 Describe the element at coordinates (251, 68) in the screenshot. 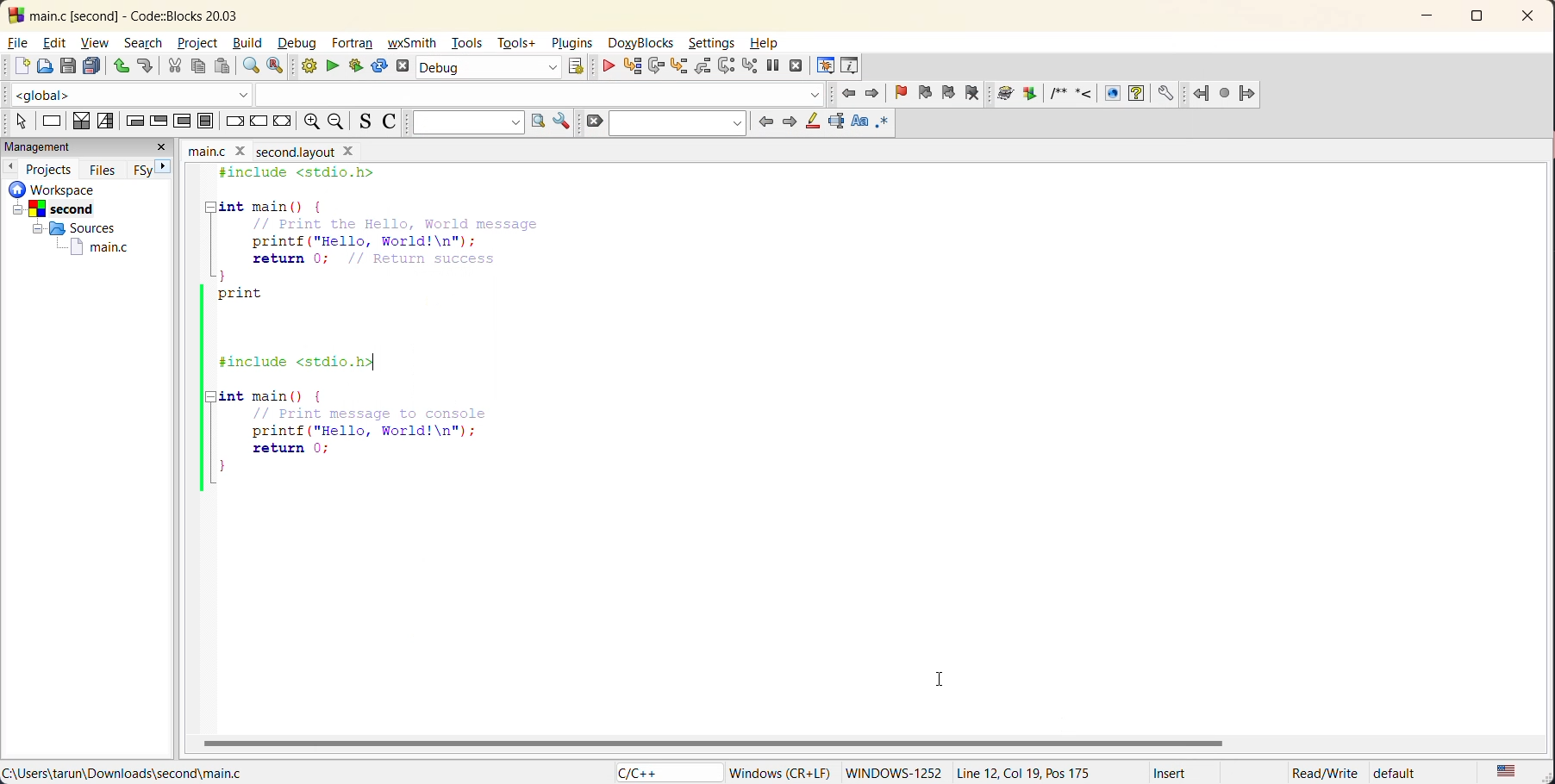

I see `find` at that location.